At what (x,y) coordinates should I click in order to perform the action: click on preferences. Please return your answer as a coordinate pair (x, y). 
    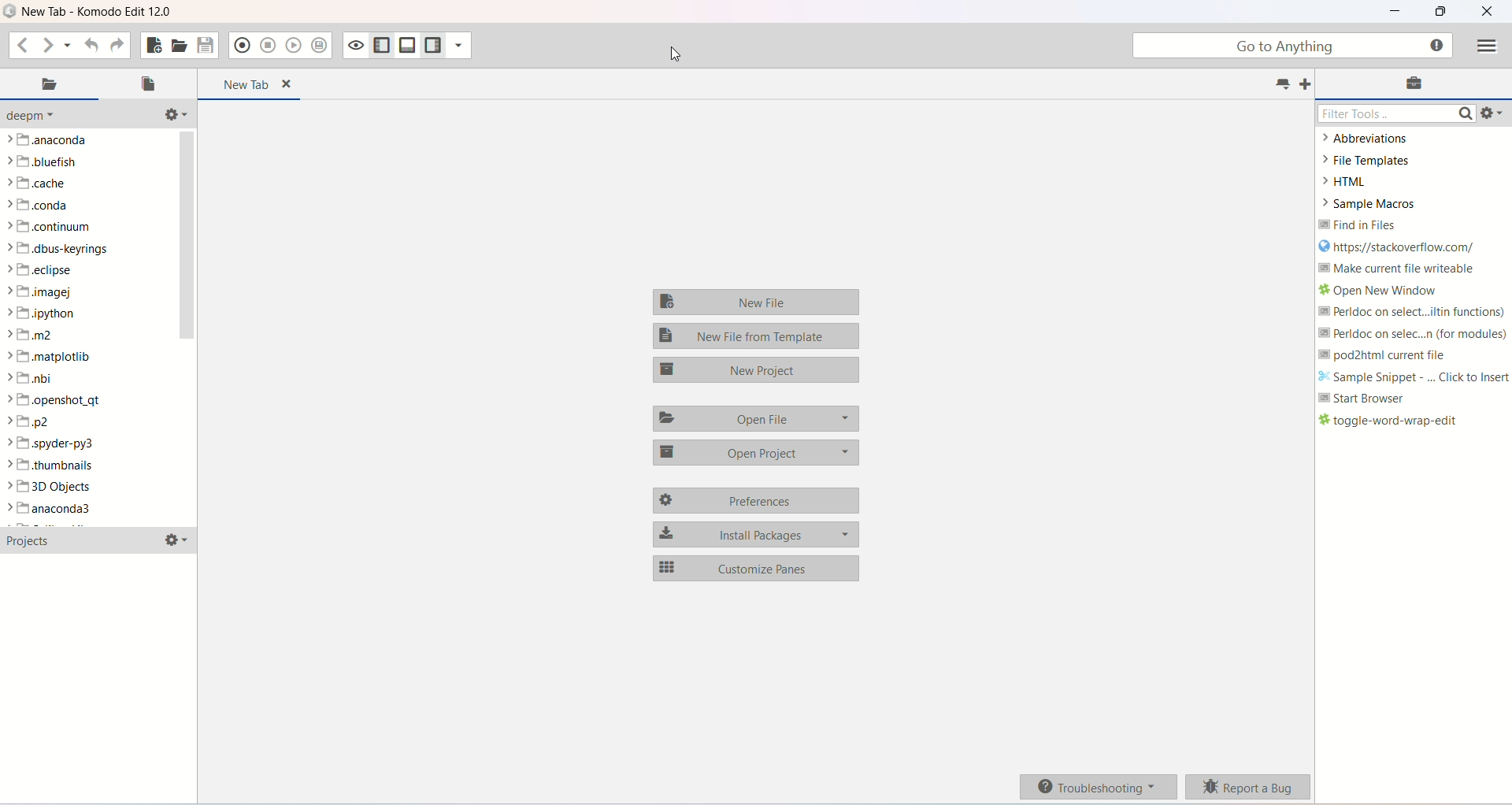
    Looking at the image, I should click on (760, 501).